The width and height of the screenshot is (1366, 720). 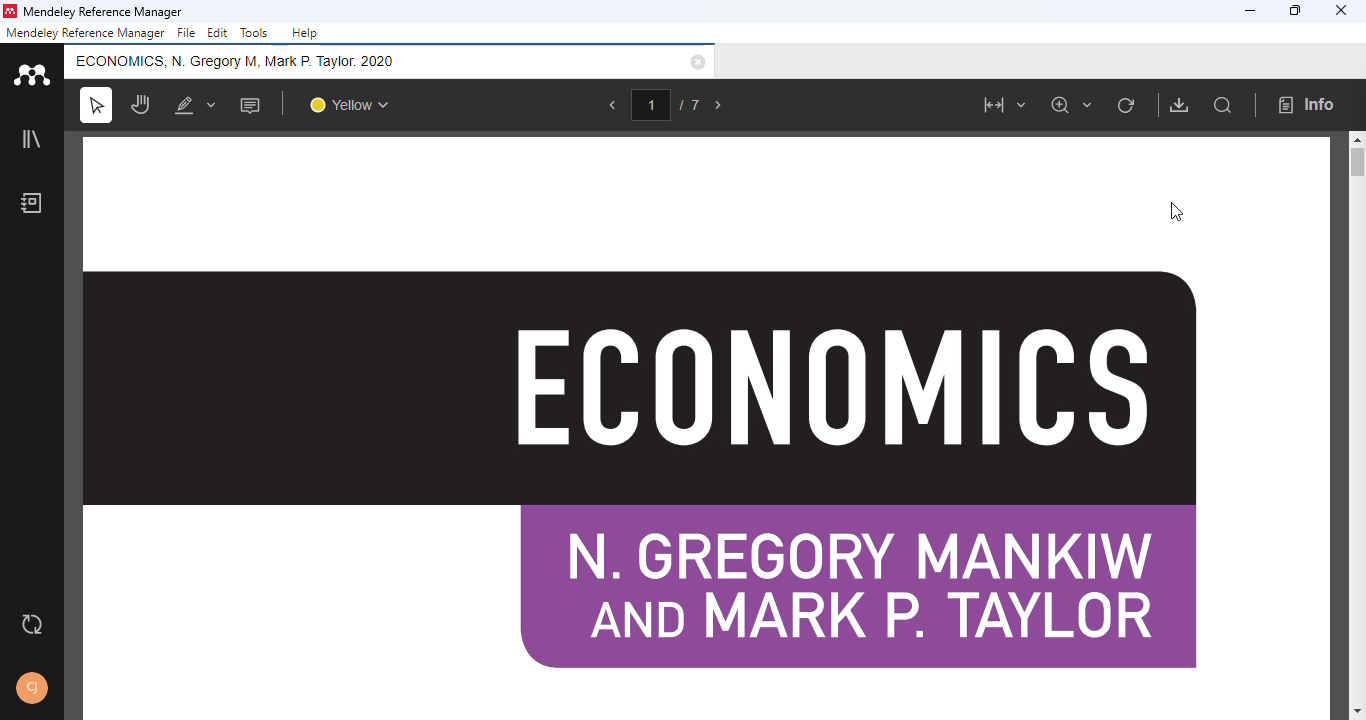 What do you see at coordinates (668, 105) in the screenshot?
I see `1/7` at bounding box center [668, 105].